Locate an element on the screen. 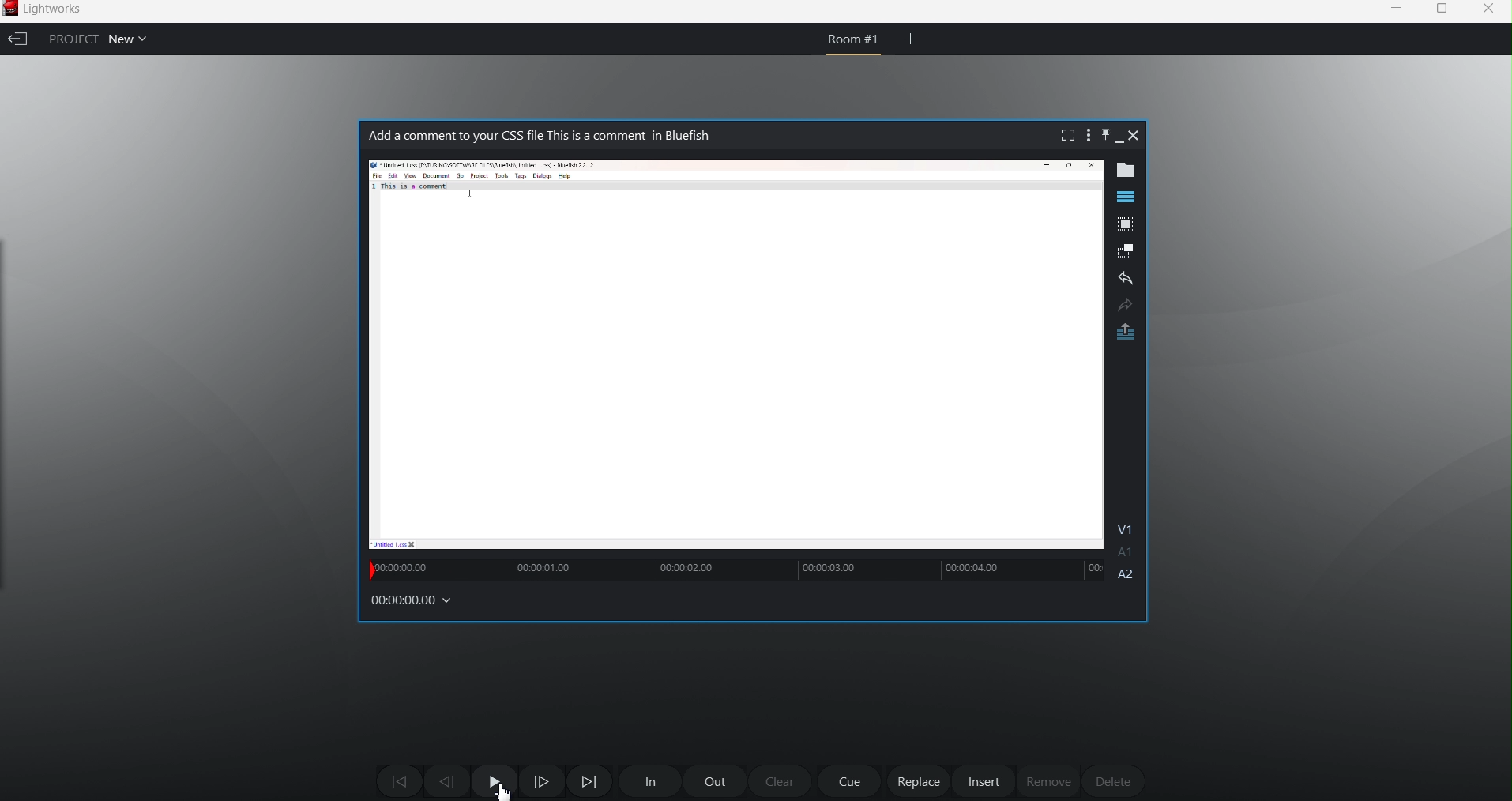 Image resolution: width=1512 pixels, height=801 pixels. -Add a comment to your CSS file This is a comment in Bluefish is located at coordinates (572, 137).